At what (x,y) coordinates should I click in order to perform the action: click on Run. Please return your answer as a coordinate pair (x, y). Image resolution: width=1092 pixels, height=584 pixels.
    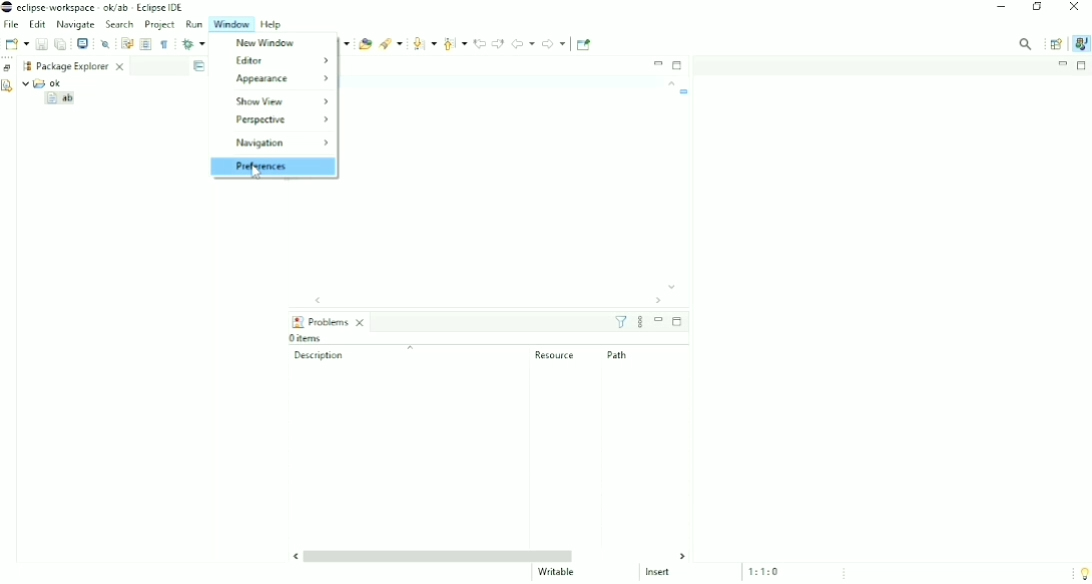
    Looking at the image, I should click on (195, 24).